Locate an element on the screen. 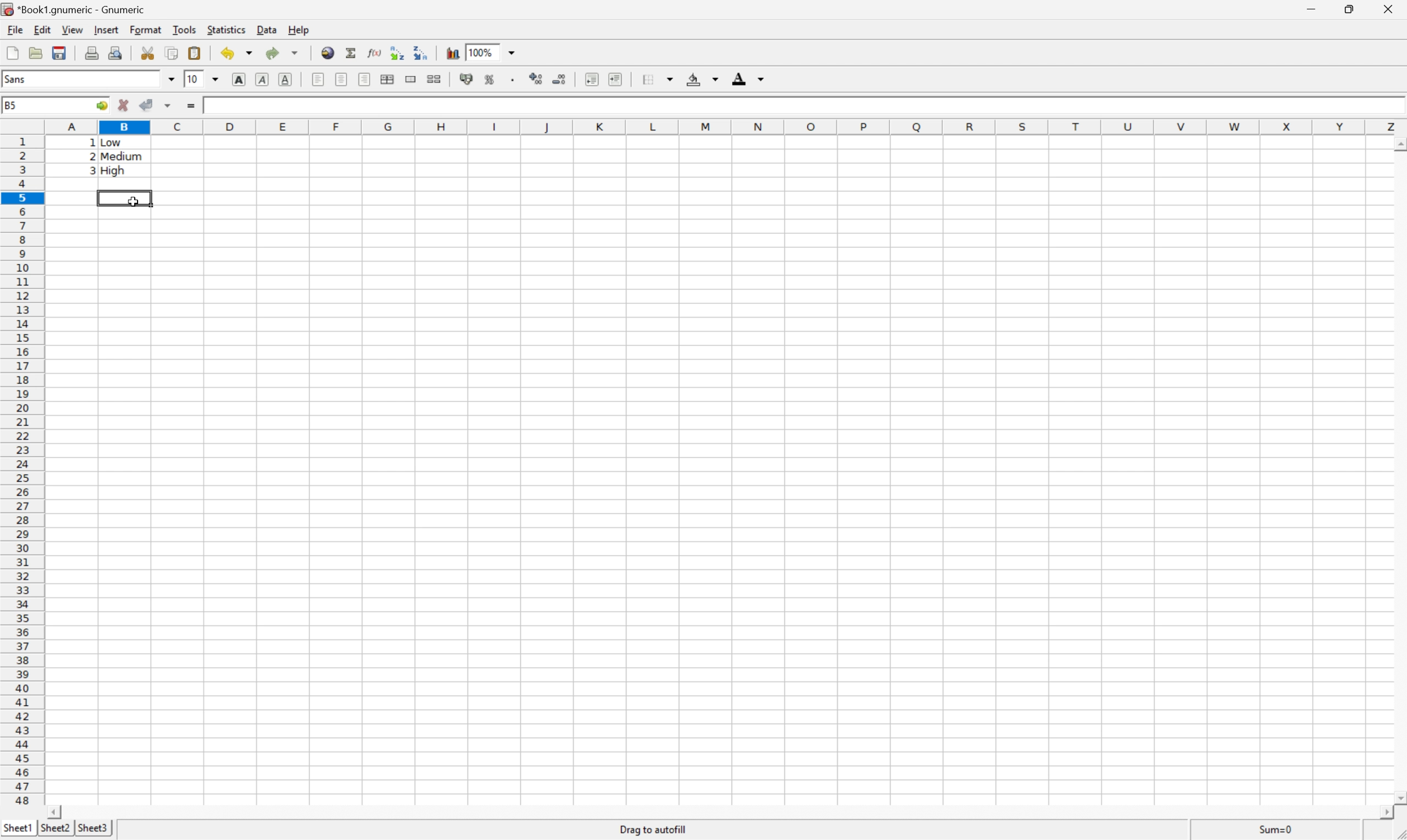  Low is located at coordinates (117, 143).